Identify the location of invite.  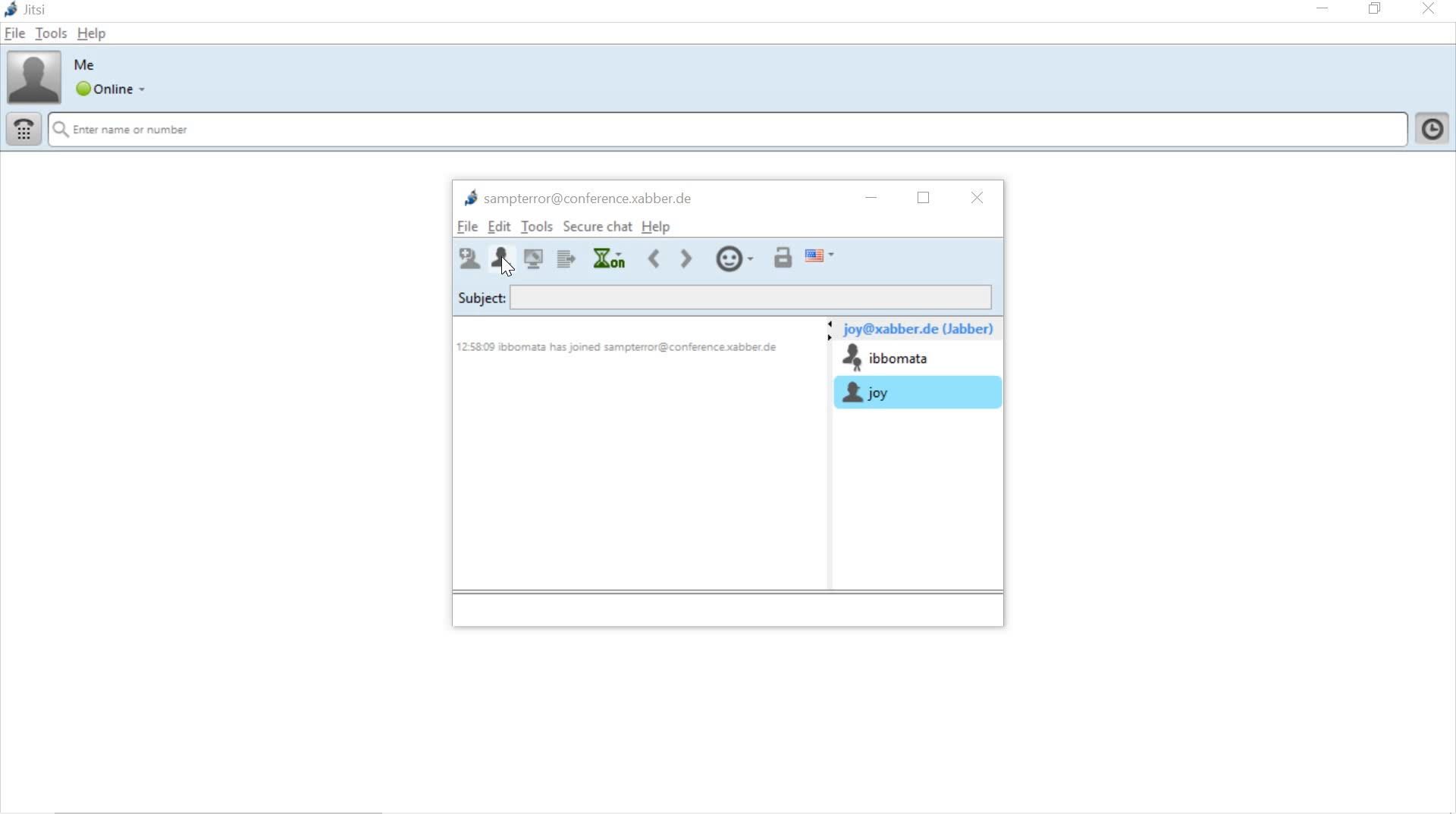
(469, 258).